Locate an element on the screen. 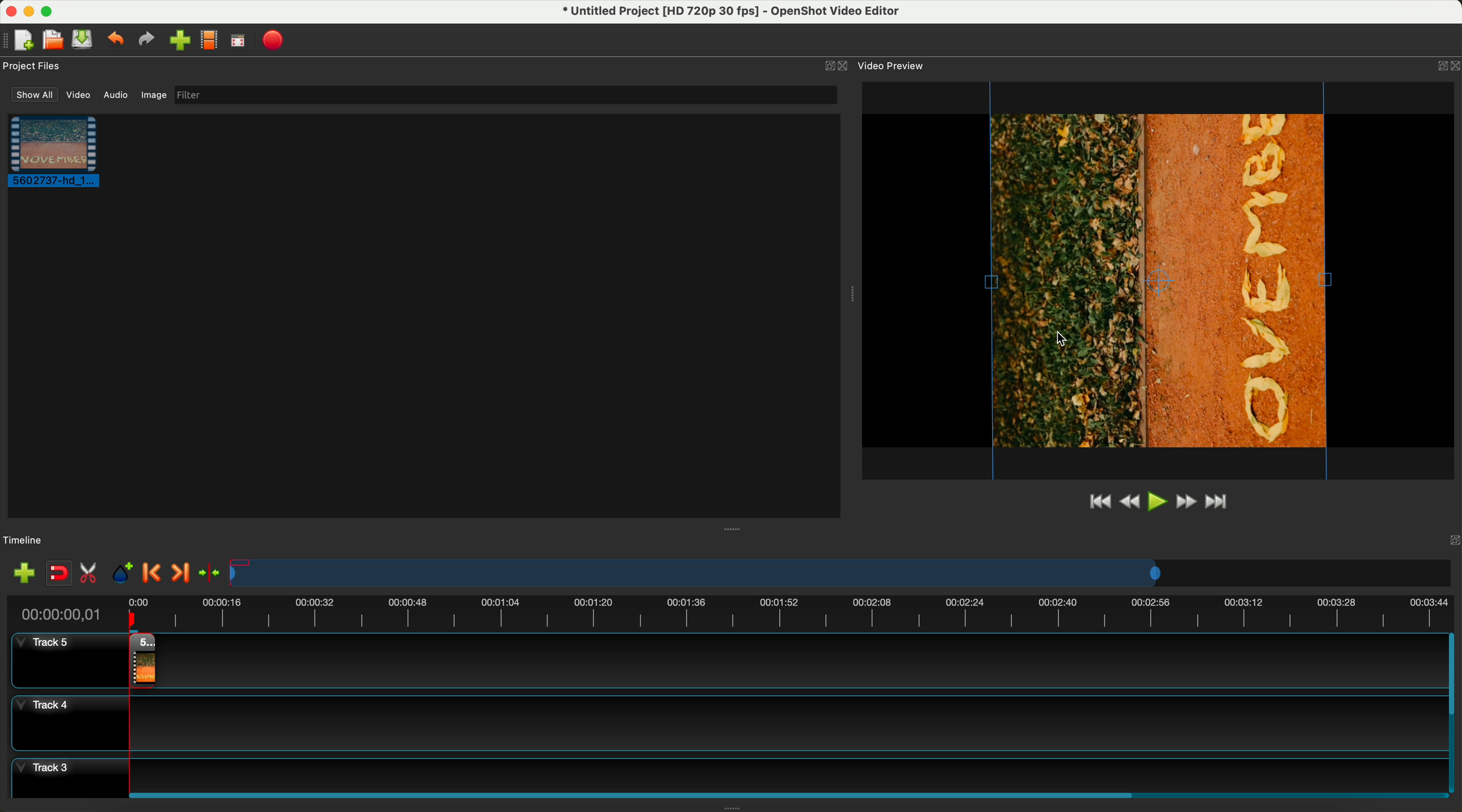 The height and width of the screenshot is (812, 1462). minimize is located at coordinates (30, 11).